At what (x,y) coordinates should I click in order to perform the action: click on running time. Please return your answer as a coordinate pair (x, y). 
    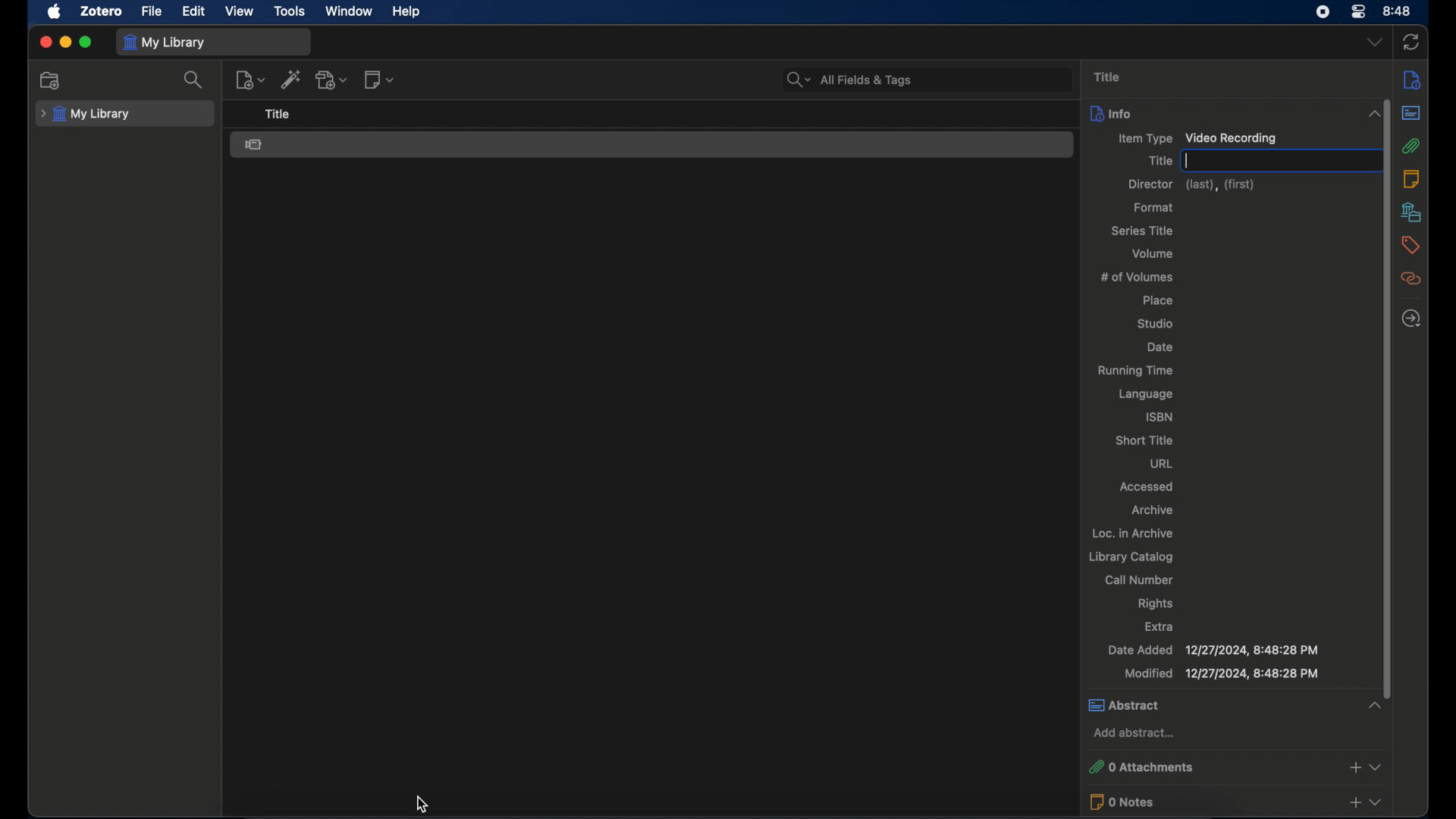
    Looking at the image, I should click on (1134, 371).